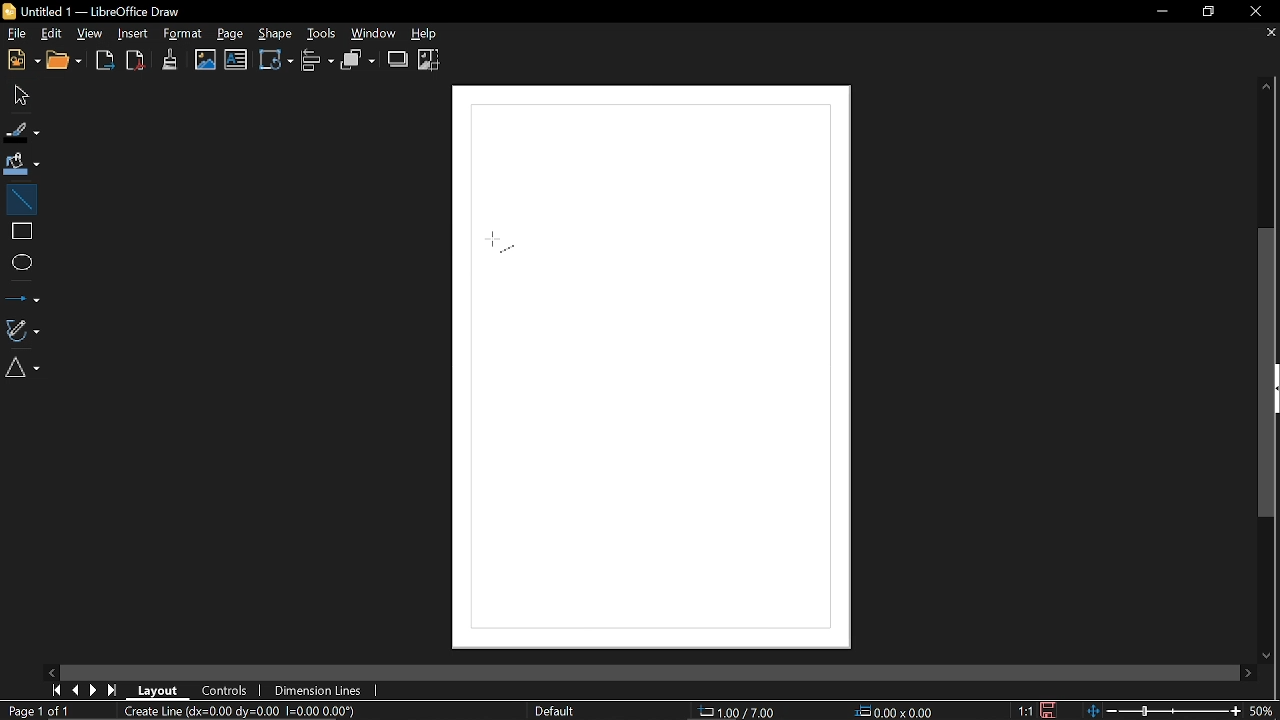 The height and width of the screenshot is (720, 1280). I want to click on Minimize, so click(1161, 12).